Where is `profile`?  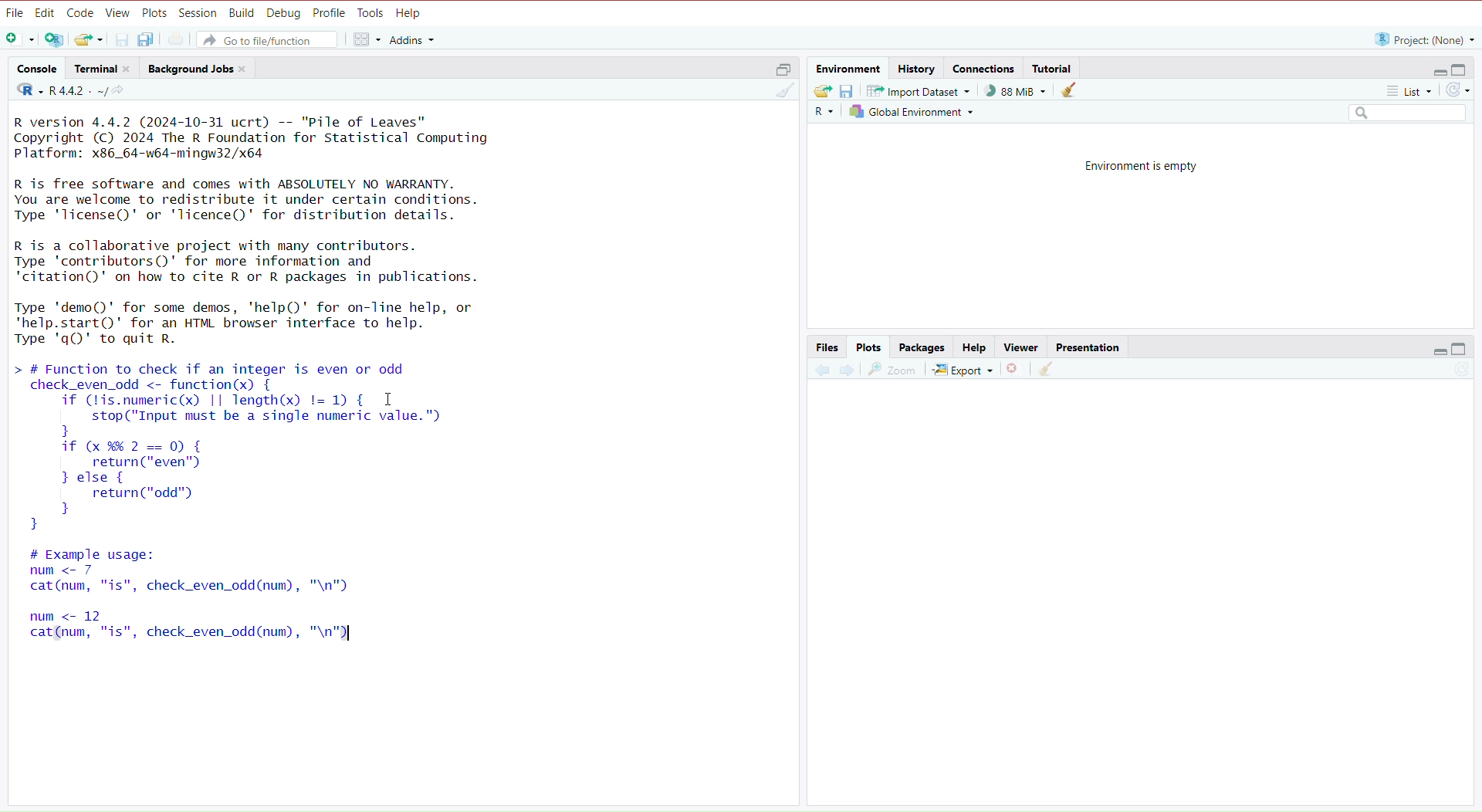
profile is located at coordinates (330, 13).